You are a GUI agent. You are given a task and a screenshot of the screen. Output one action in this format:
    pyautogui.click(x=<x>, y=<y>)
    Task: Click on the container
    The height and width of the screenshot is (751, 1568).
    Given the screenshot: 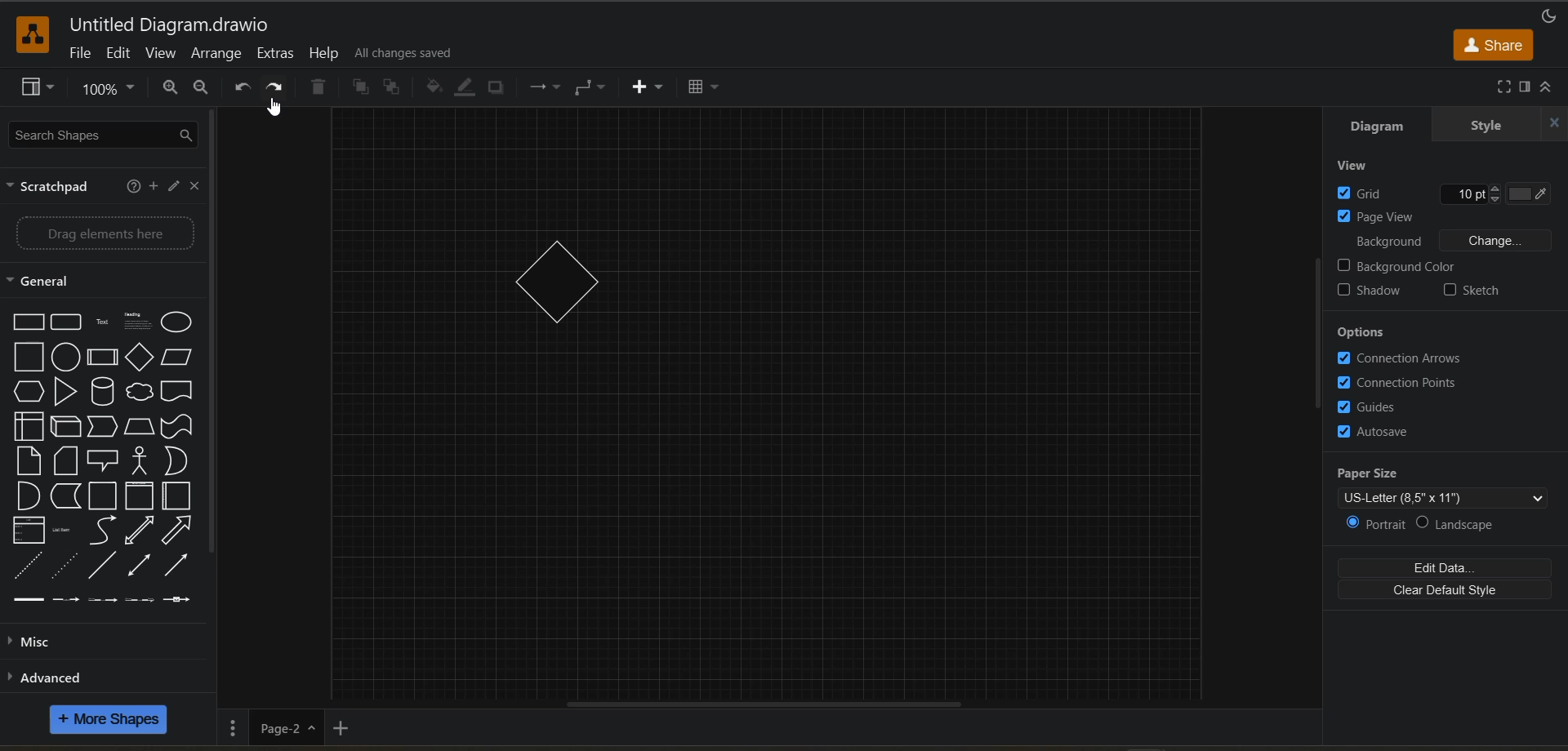 What is the action you would take?
    pyautogui.click(x=101, y=497)
    